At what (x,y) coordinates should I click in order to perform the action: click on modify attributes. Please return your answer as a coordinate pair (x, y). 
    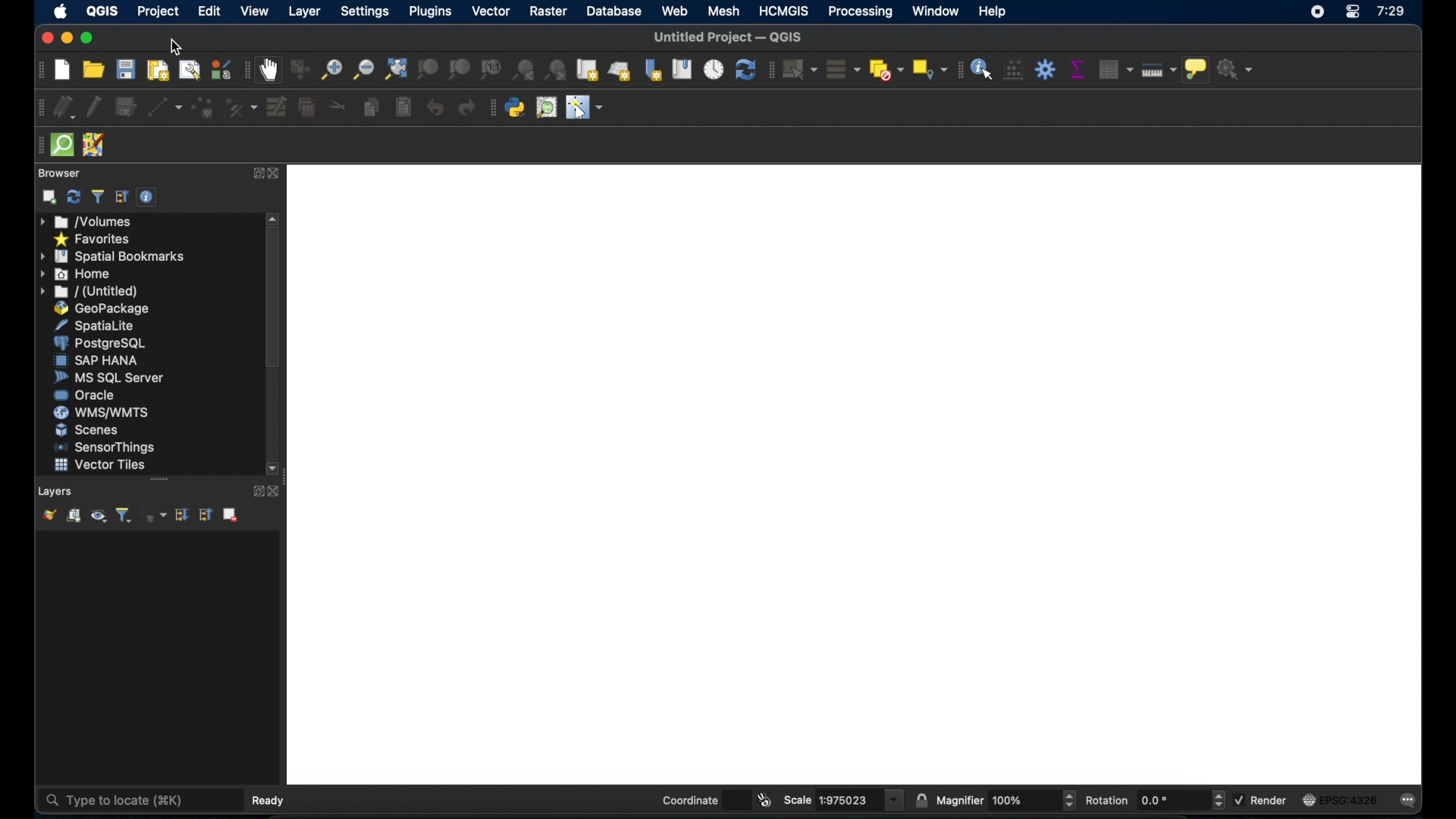
    Looking at the image, I should click on (278, 106).